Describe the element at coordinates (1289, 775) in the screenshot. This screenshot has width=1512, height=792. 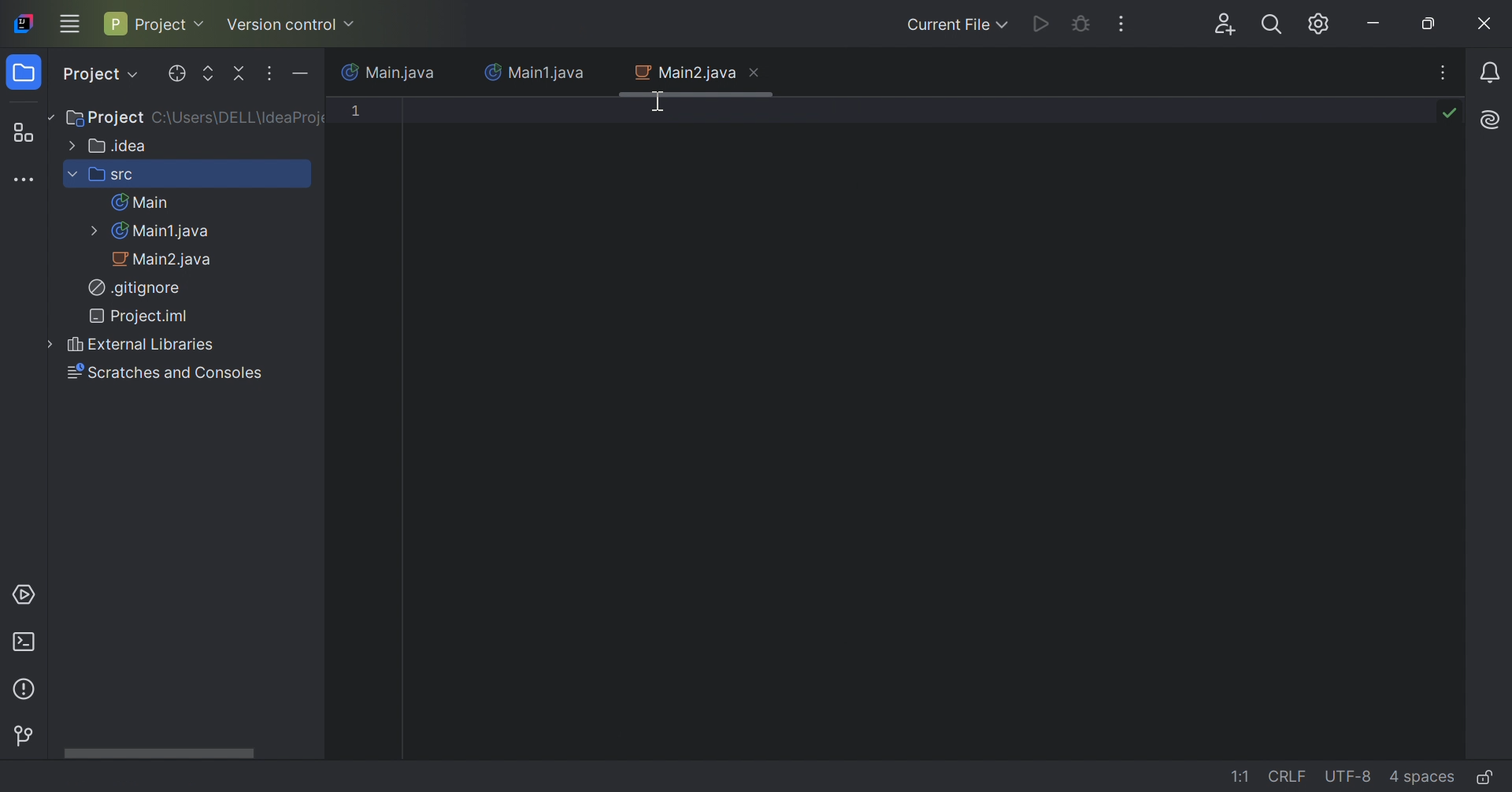
I see `CRLF` at that location.